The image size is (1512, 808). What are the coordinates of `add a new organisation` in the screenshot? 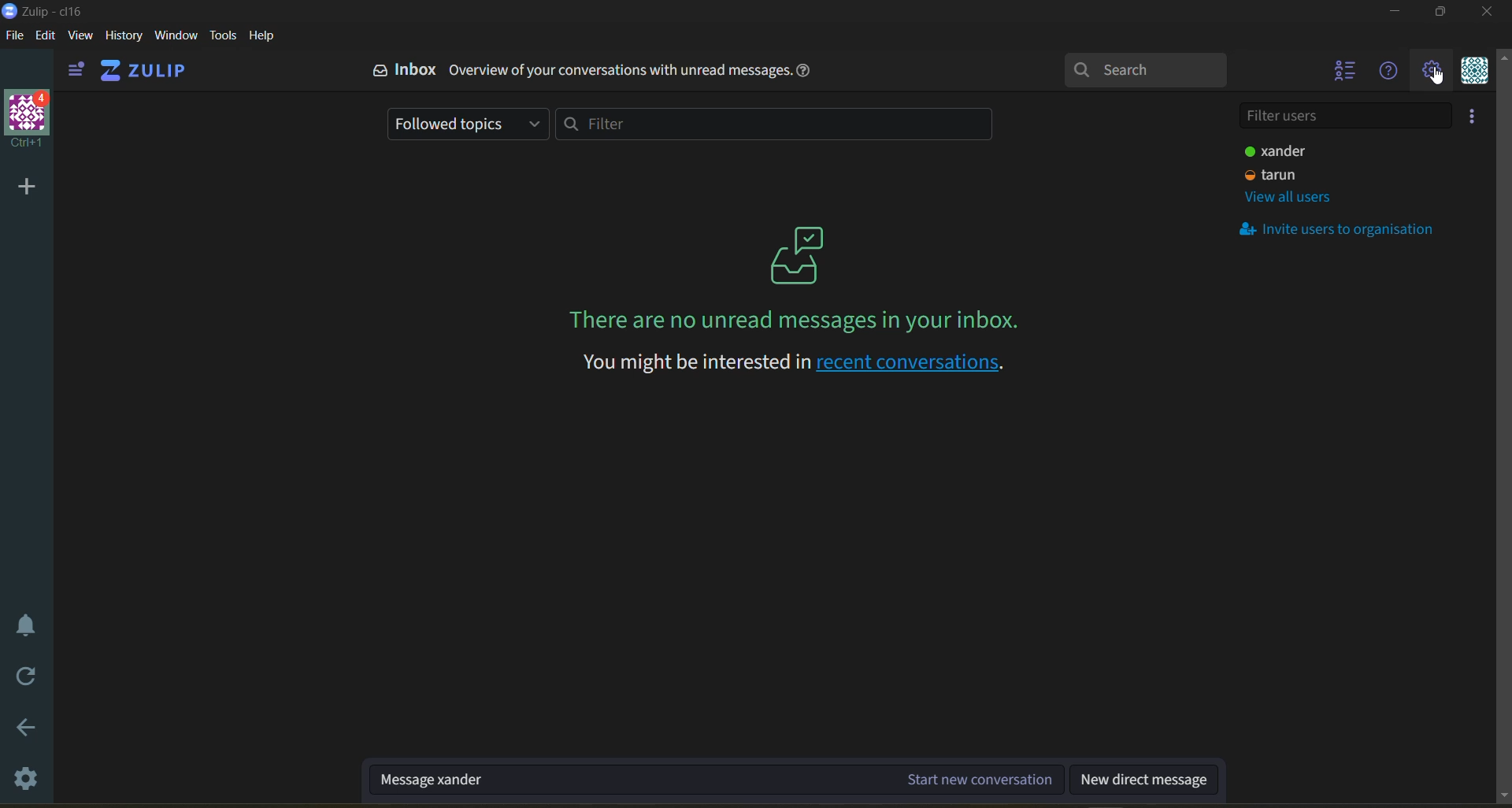 It's located at (25, 187).